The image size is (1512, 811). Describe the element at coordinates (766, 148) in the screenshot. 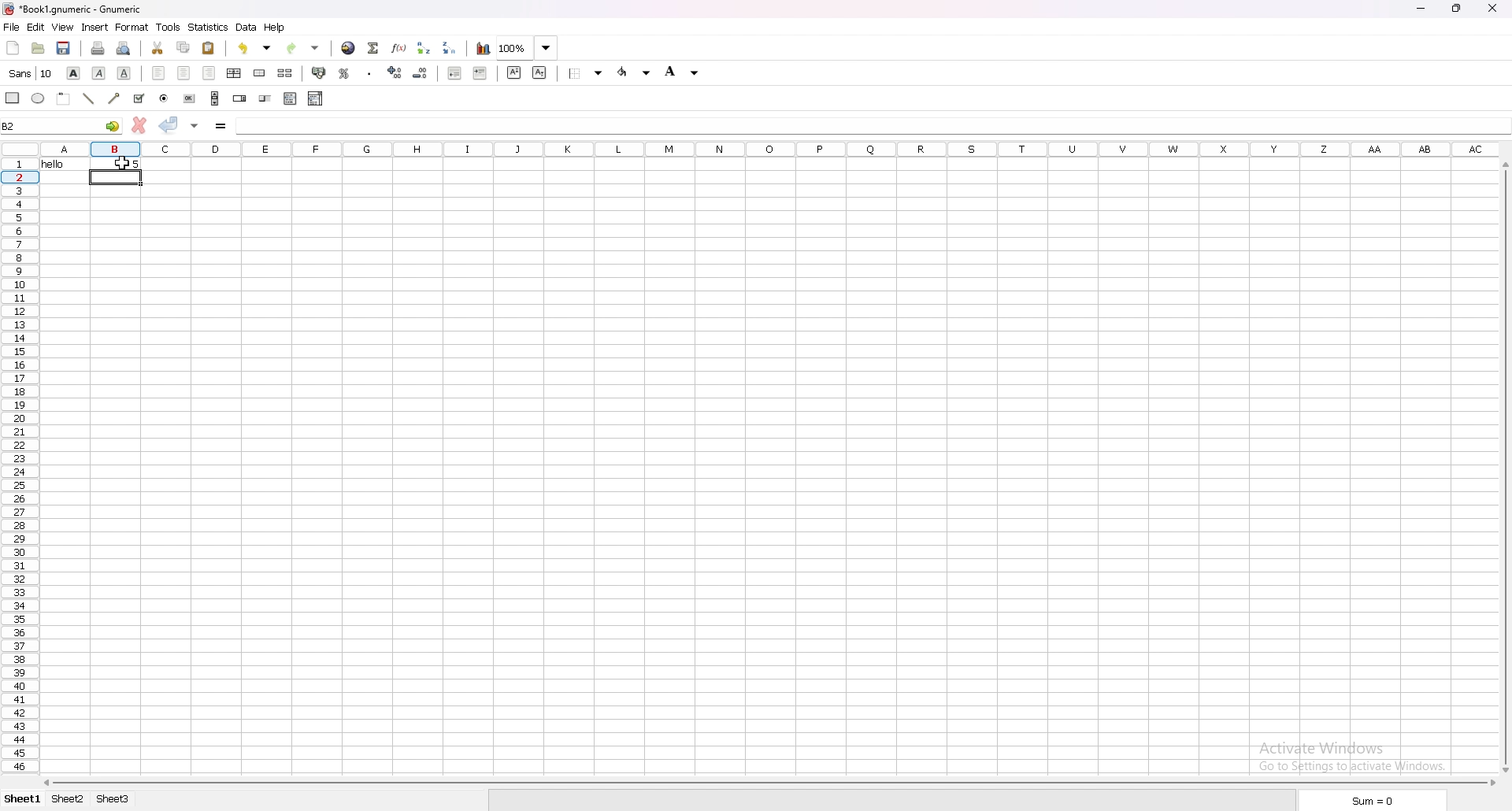

I see `column` at that location.